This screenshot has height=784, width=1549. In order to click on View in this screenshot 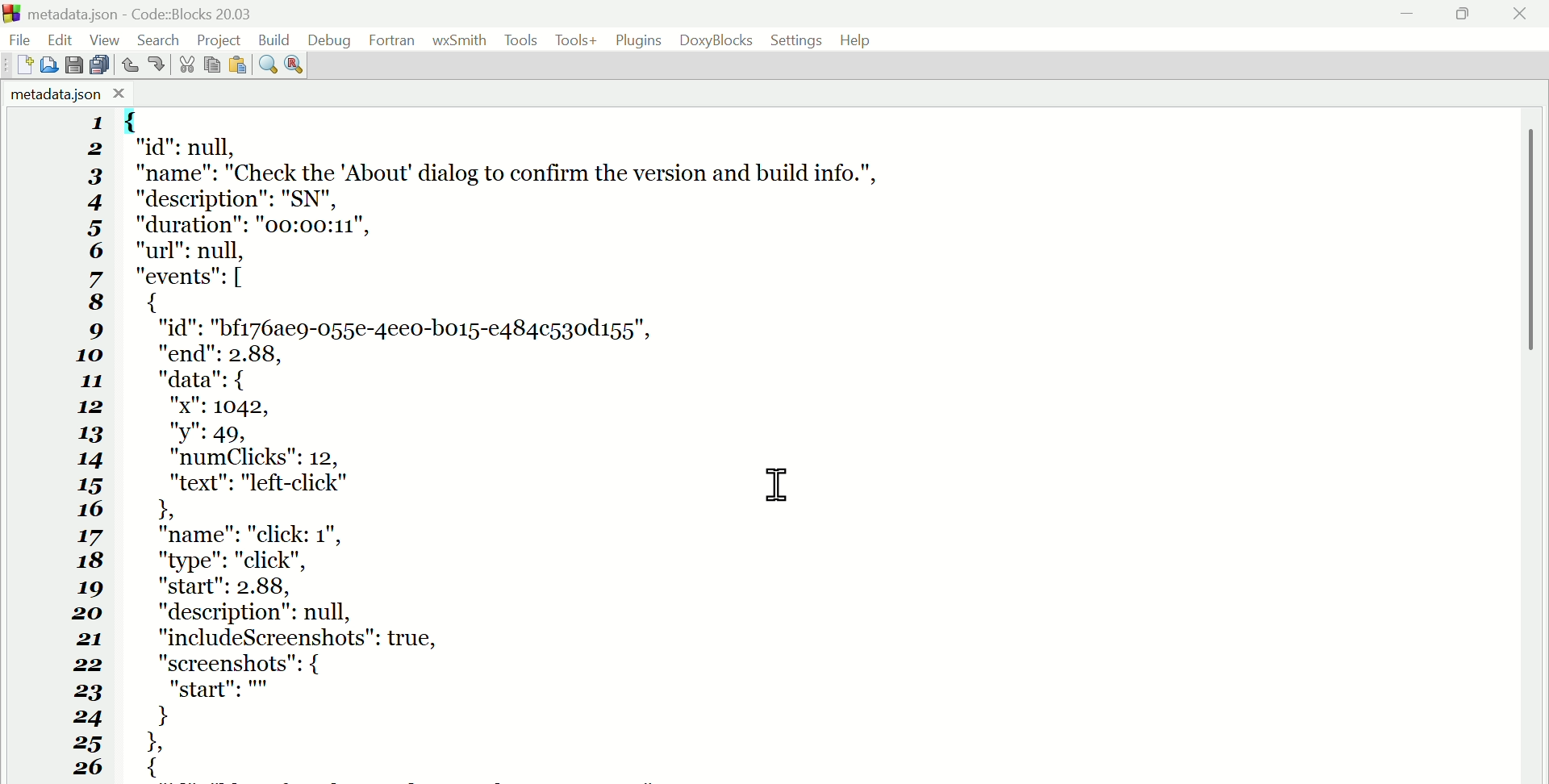, I will do `click(107, 39)`.